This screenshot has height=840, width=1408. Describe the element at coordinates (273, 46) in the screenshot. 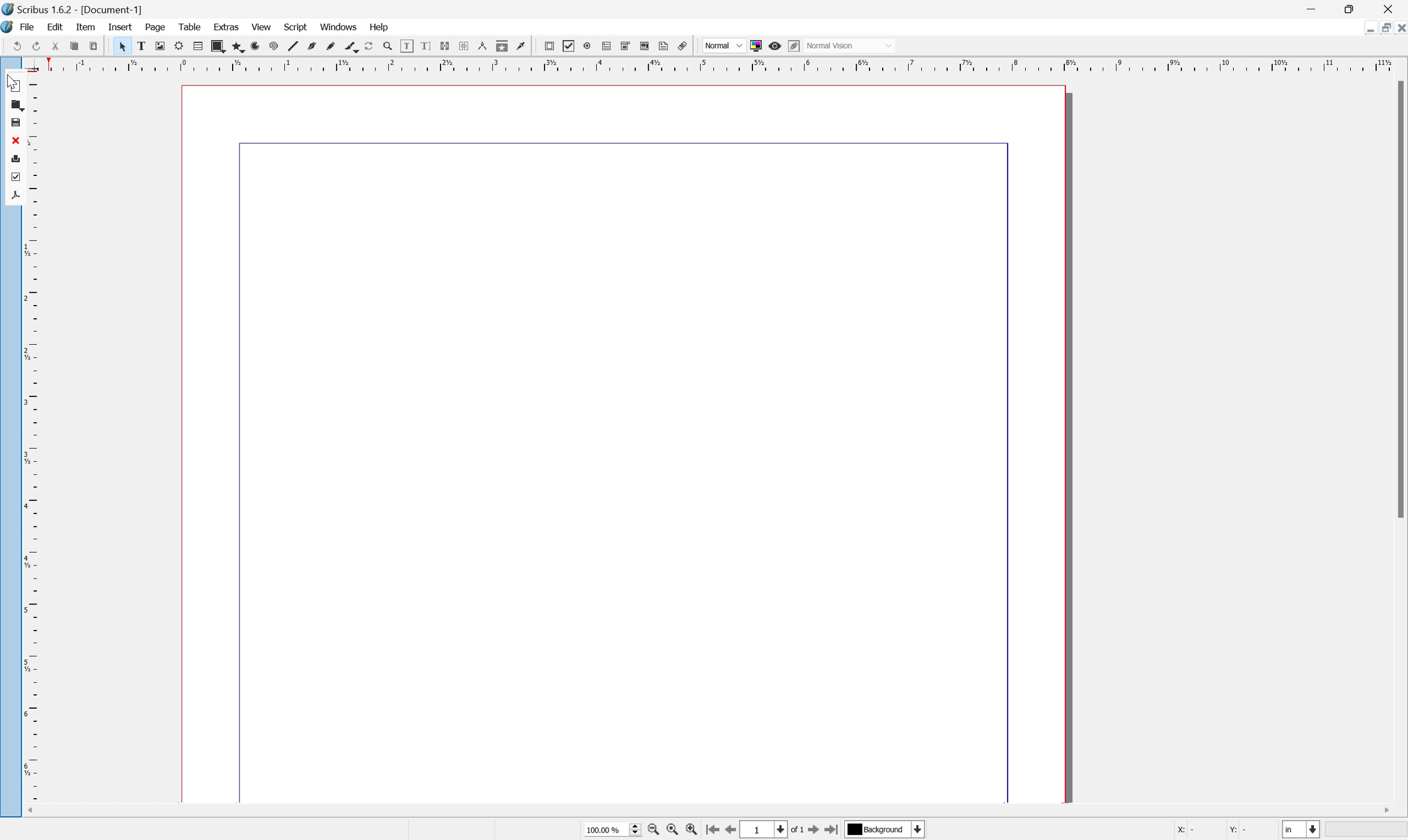

I see `text frame` at that location.